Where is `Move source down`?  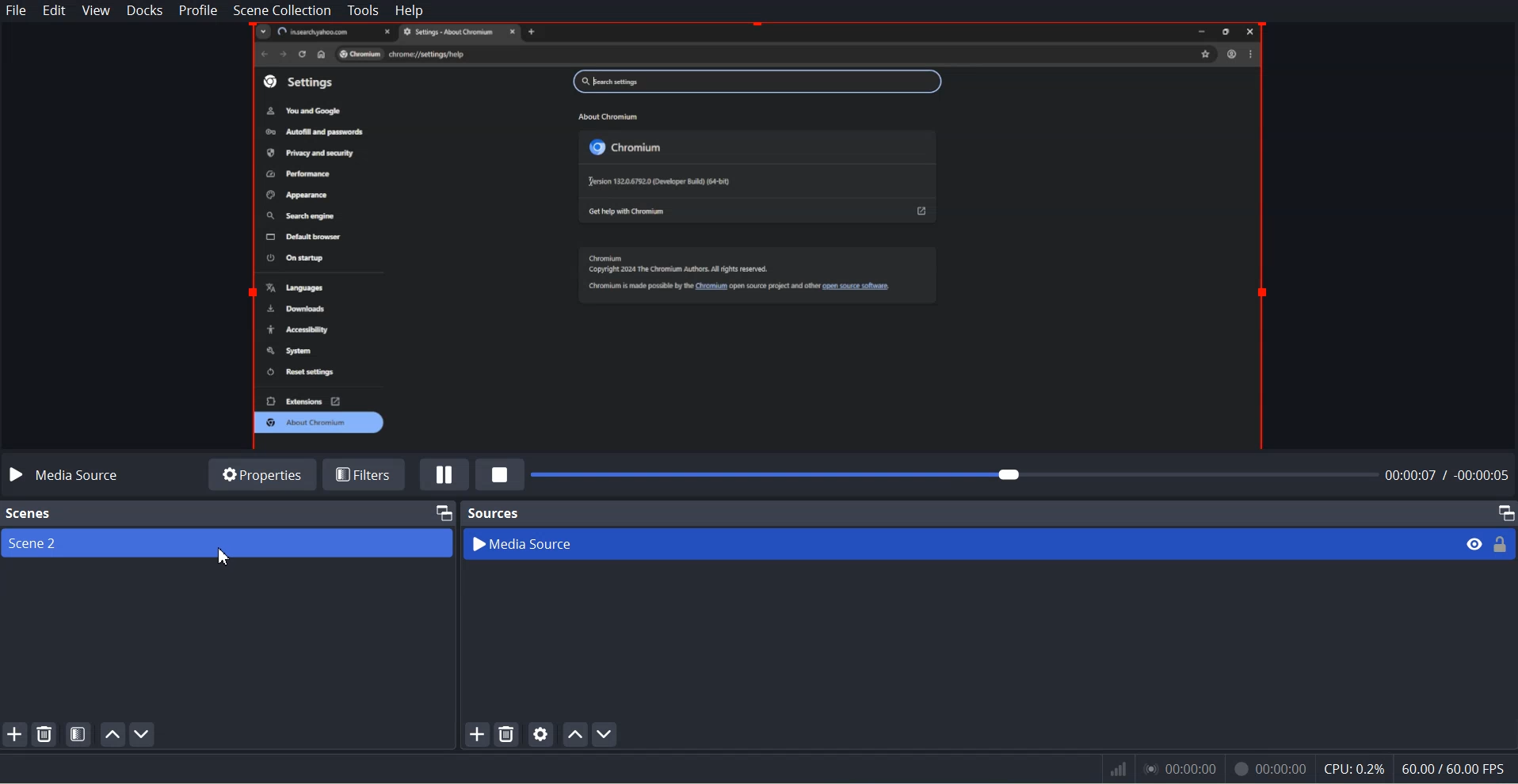 Move source down is located at coordinates (605, 734).